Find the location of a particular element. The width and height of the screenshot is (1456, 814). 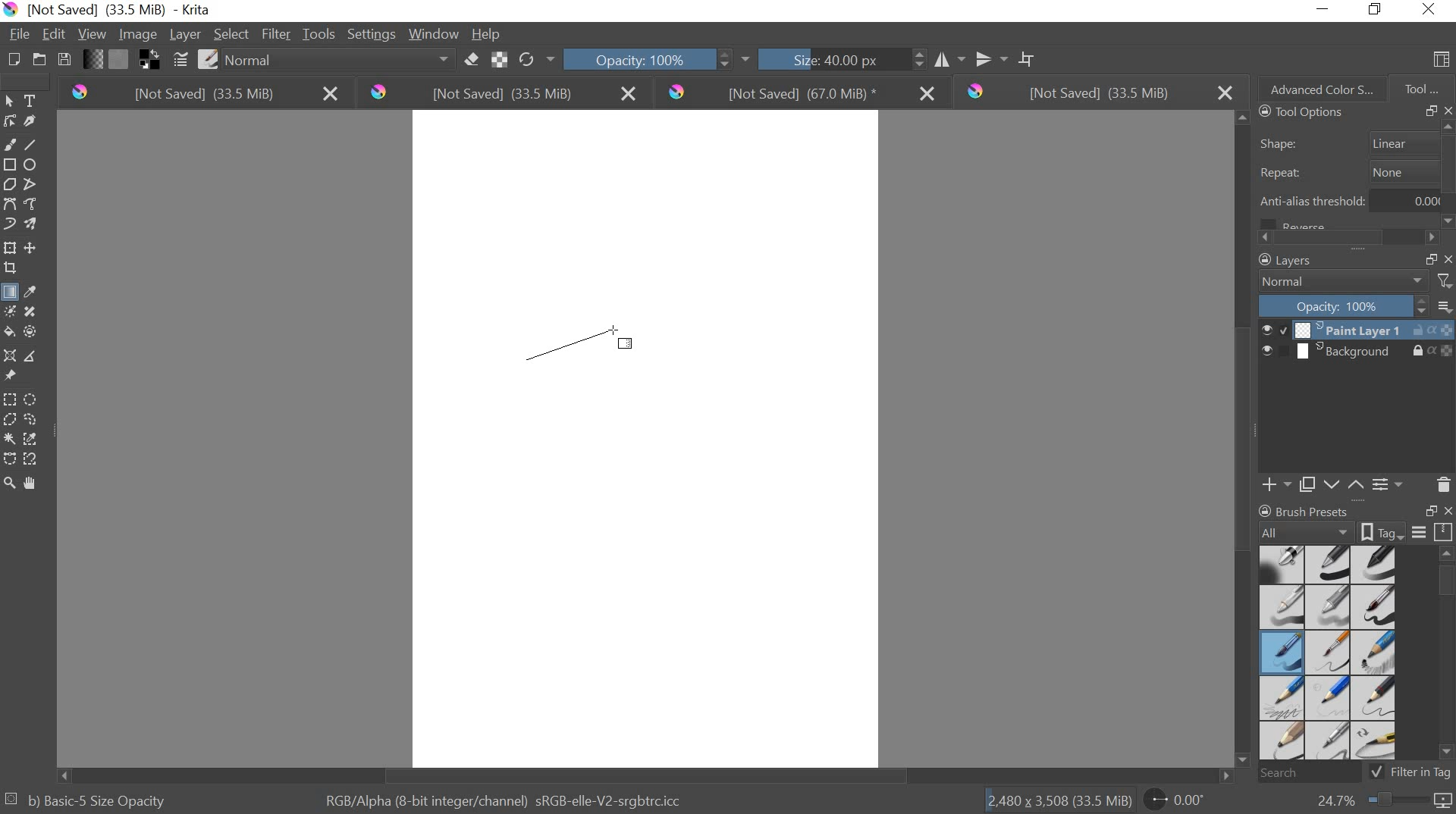

FILTER is located at coordinates (275, 34).